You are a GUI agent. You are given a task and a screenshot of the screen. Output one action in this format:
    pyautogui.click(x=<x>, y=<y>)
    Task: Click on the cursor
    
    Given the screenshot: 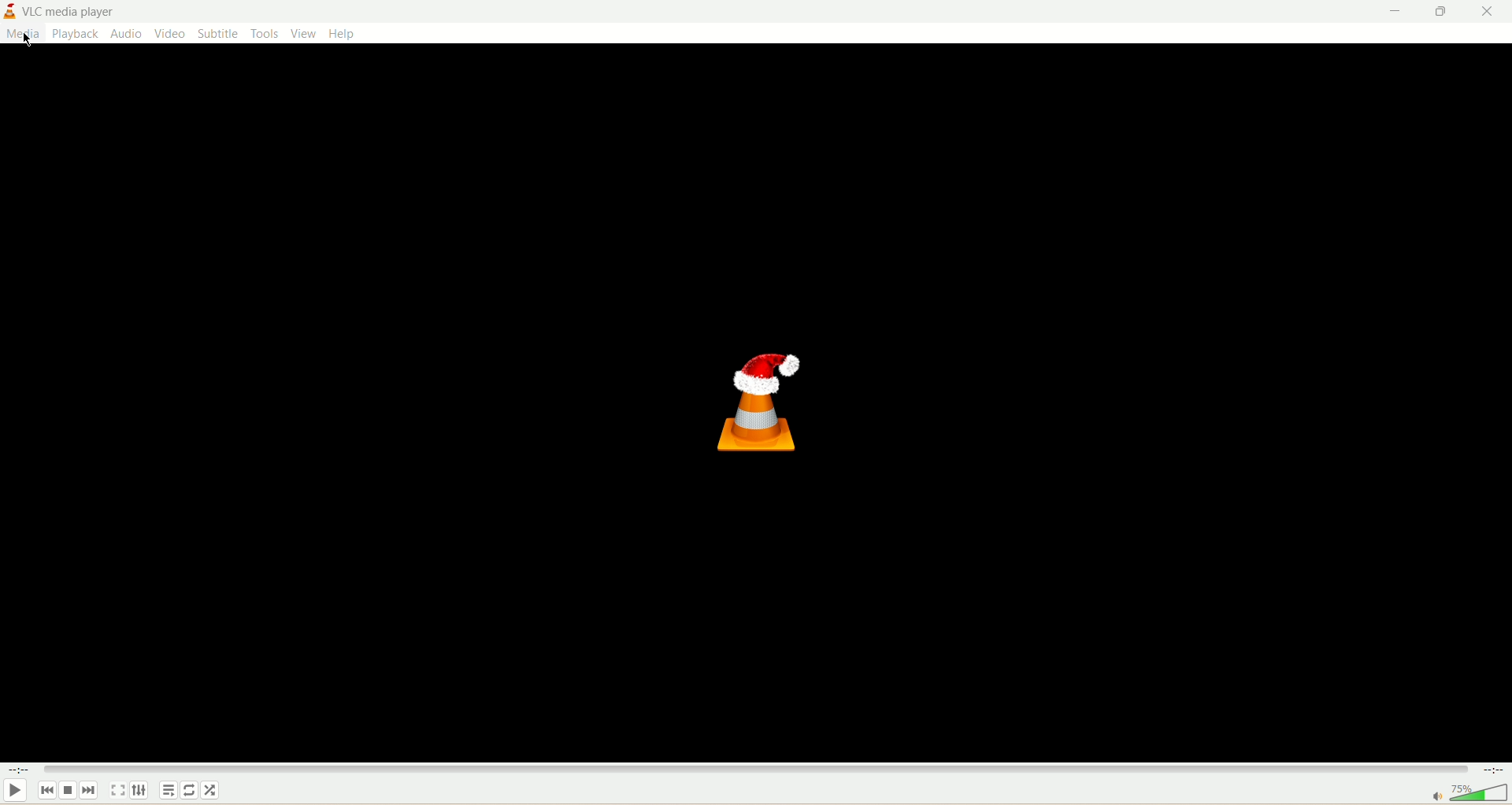 What is the action you would take?
    pyautogui.click(x=23, y=39)
    